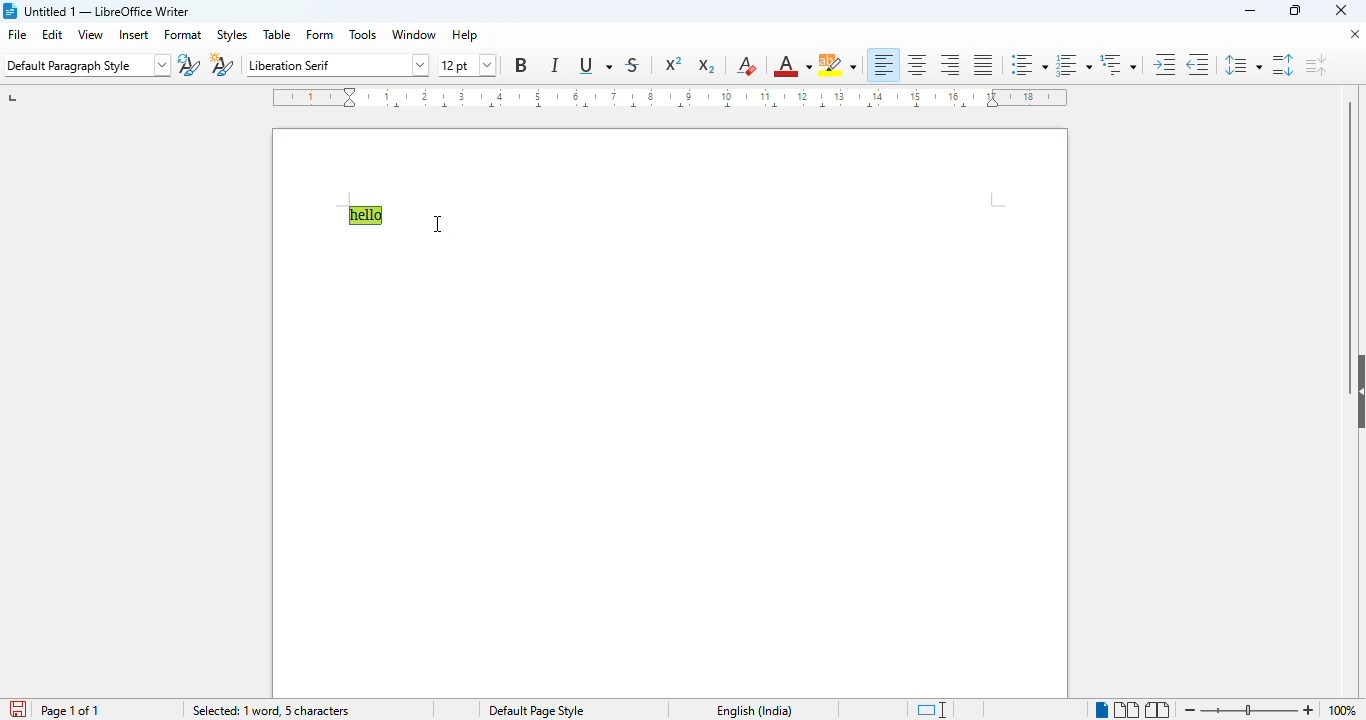 Image resolution: width=1366 pixels, height=720 pixels. What do you see at coordinates (1342, 9) in the screenshot?
I see `close` at bounding box center [1342, 9].